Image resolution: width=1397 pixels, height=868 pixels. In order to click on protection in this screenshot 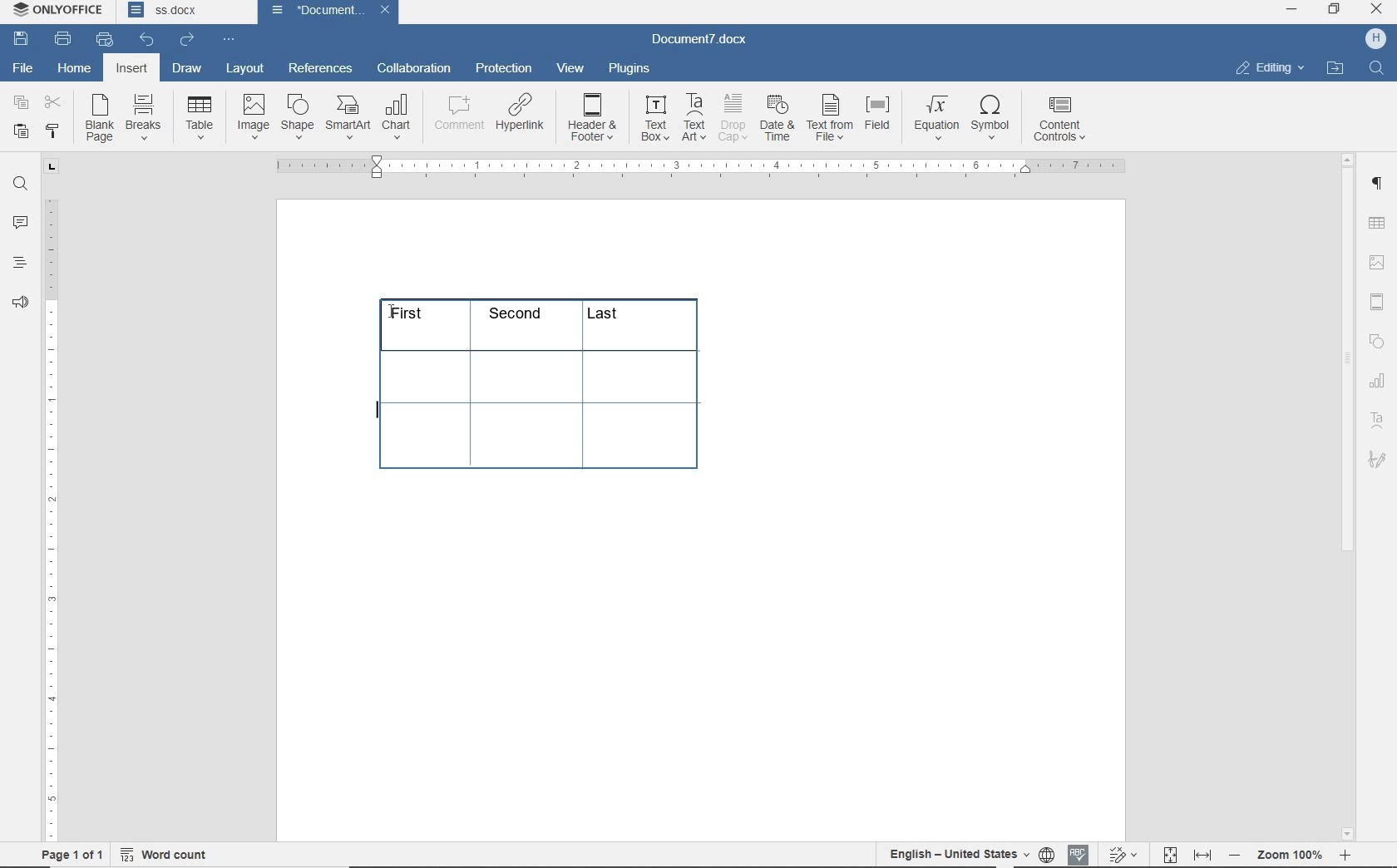, I will do `click(503, 69)`.